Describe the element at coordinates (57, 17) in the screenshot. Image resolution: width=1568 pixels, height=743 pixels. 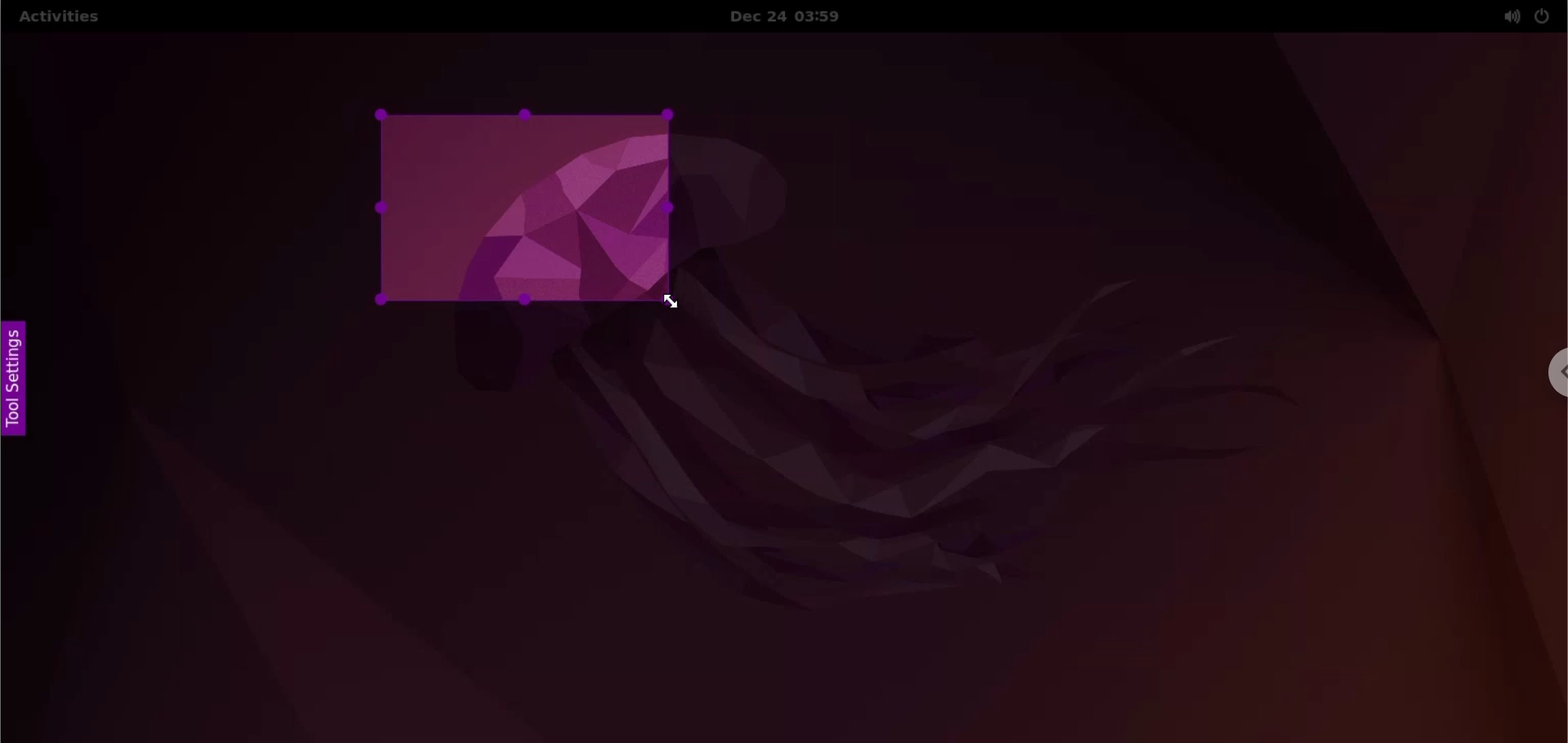
I see `Activities` at that location.